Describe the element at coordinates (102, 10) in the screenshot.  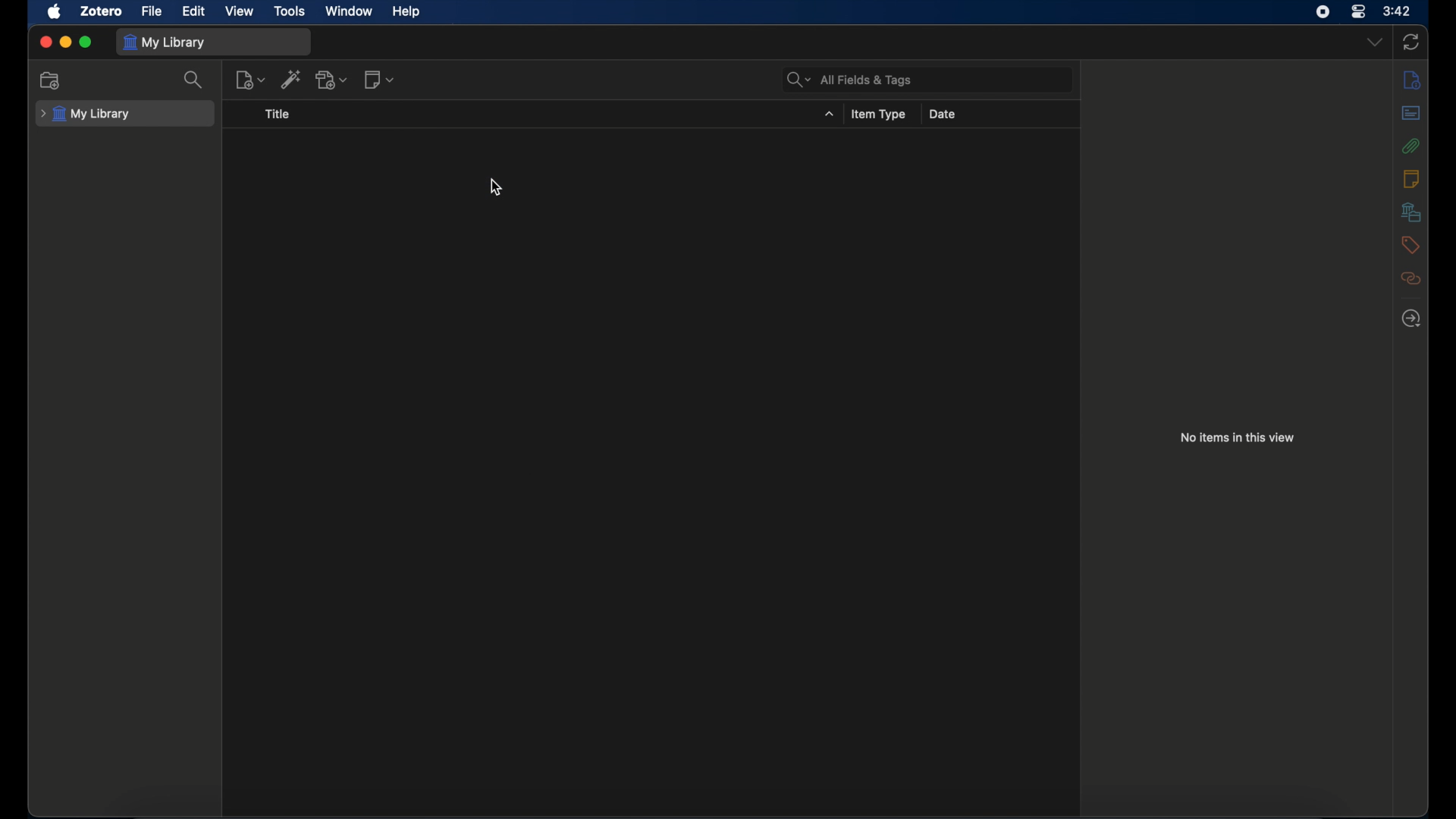
I see `zotero` at that location.